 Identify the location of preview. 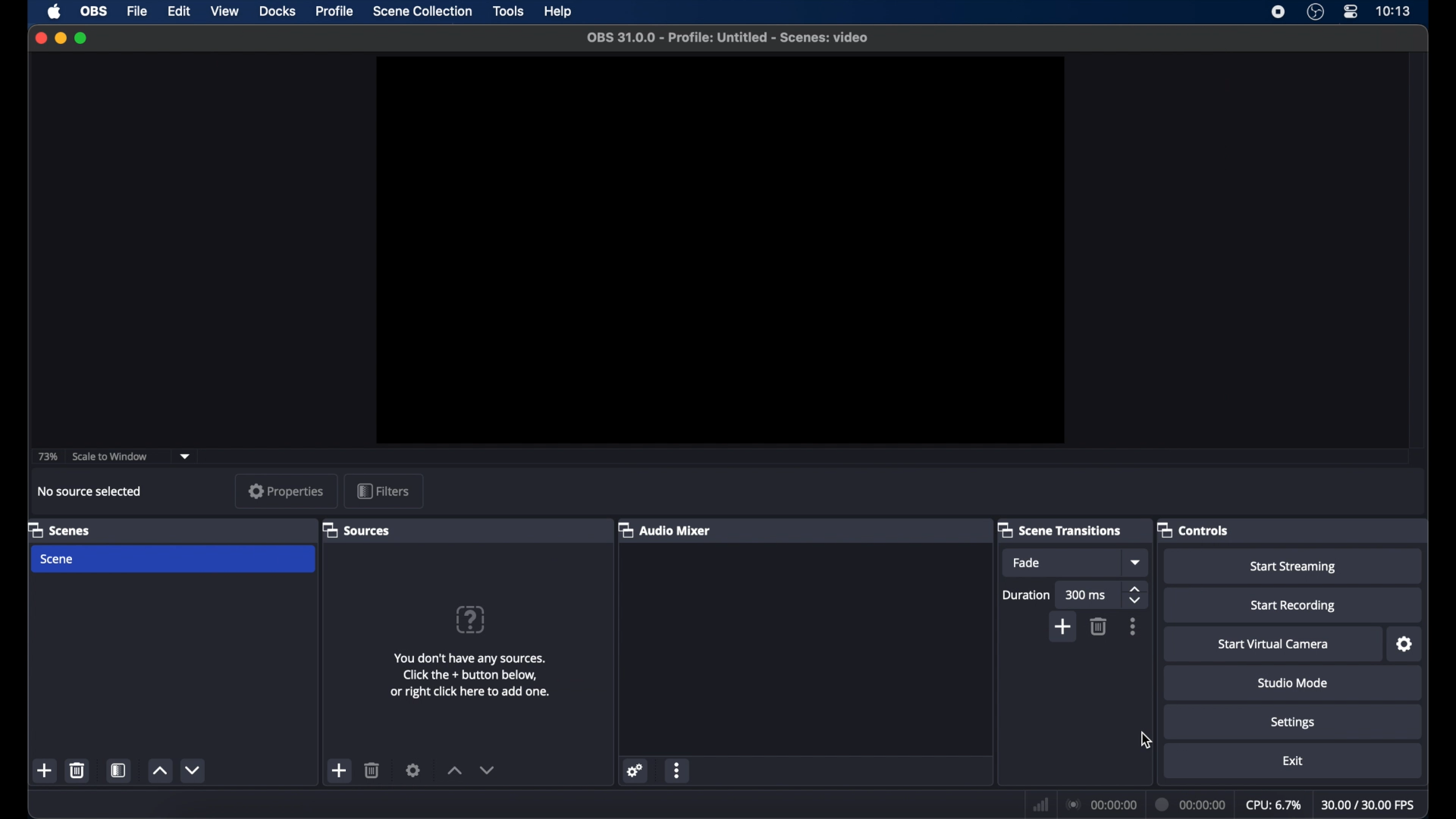
(722, 249).